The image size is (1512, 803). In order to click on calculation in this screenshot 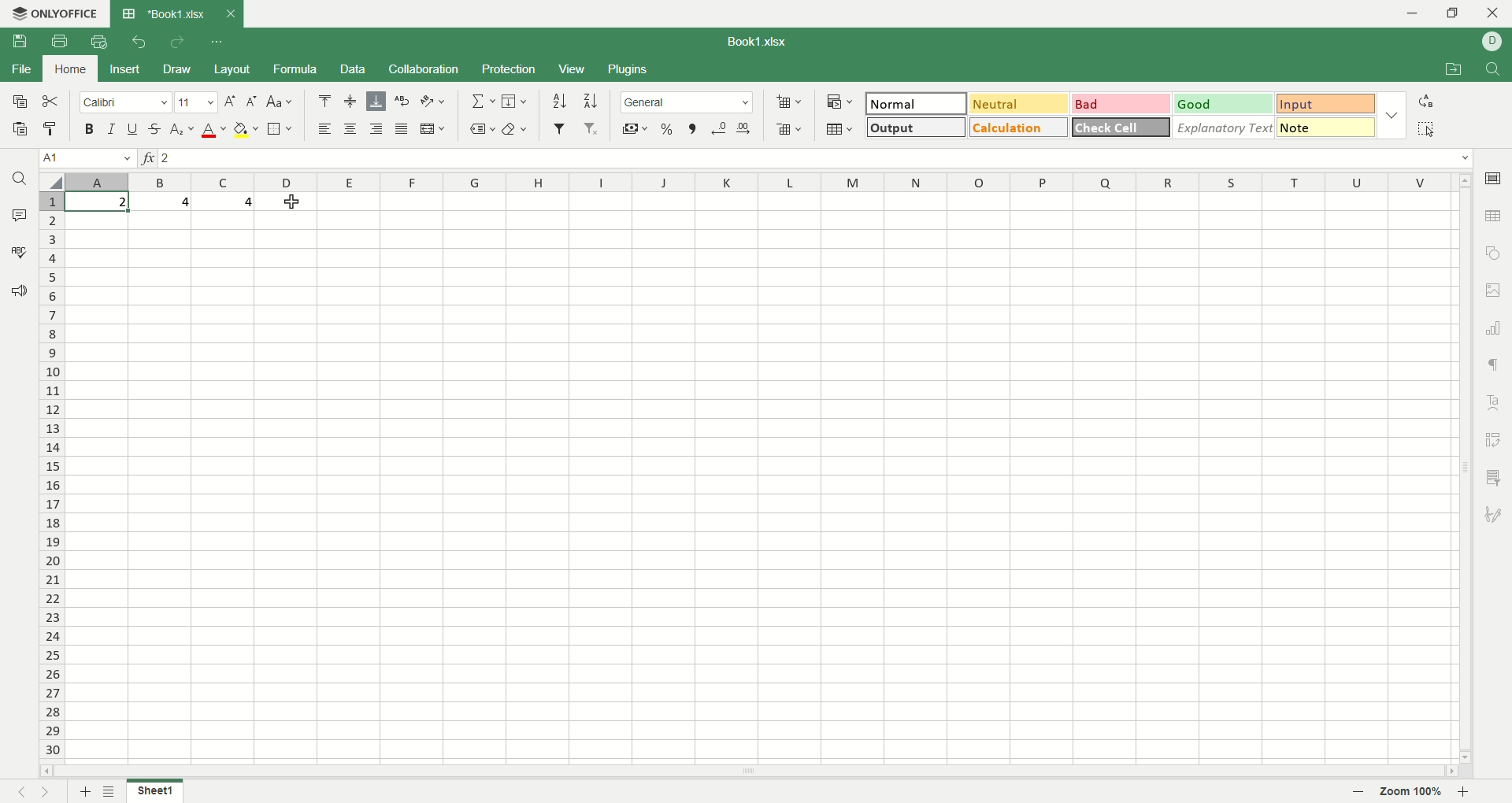, I will do `click(1017, 127)`.